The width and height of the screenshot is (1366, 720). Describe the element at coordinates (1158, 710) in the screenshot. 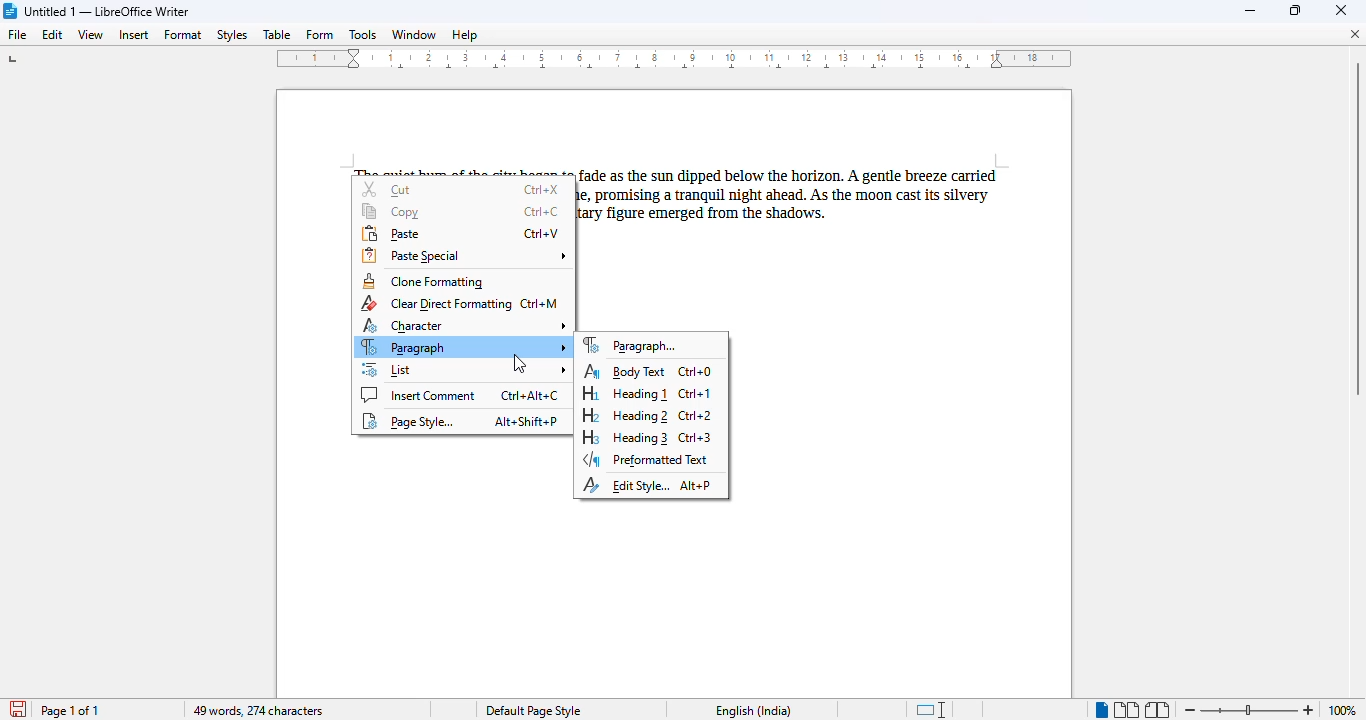

I see `book view` at that location.